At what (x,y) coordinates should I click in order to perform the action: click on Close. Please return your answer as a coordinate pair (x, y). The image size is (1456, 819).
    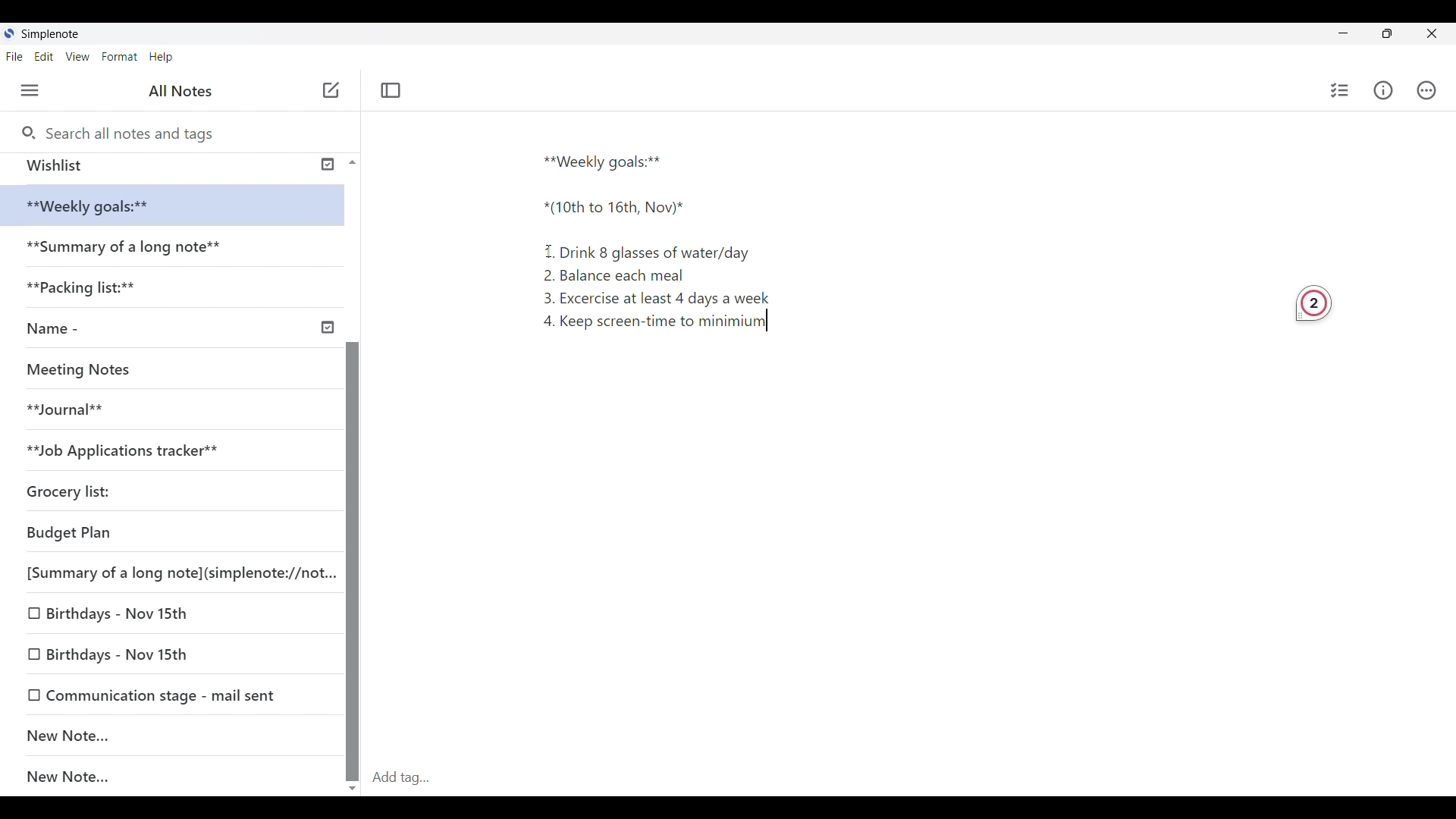
    Looking at the image, I should click on (1438, 33).